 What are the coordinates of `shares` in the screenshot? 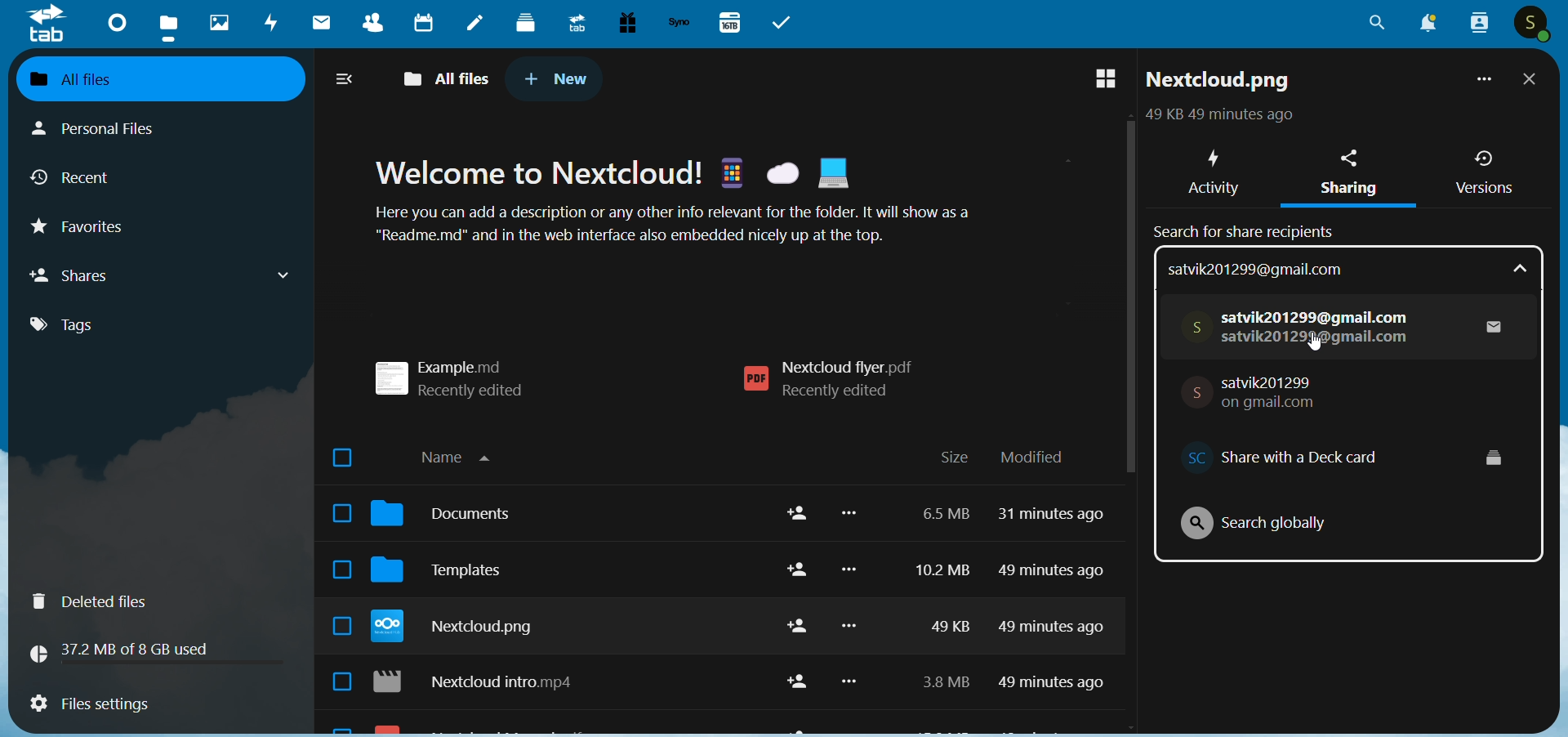 It's located at (163, 275).